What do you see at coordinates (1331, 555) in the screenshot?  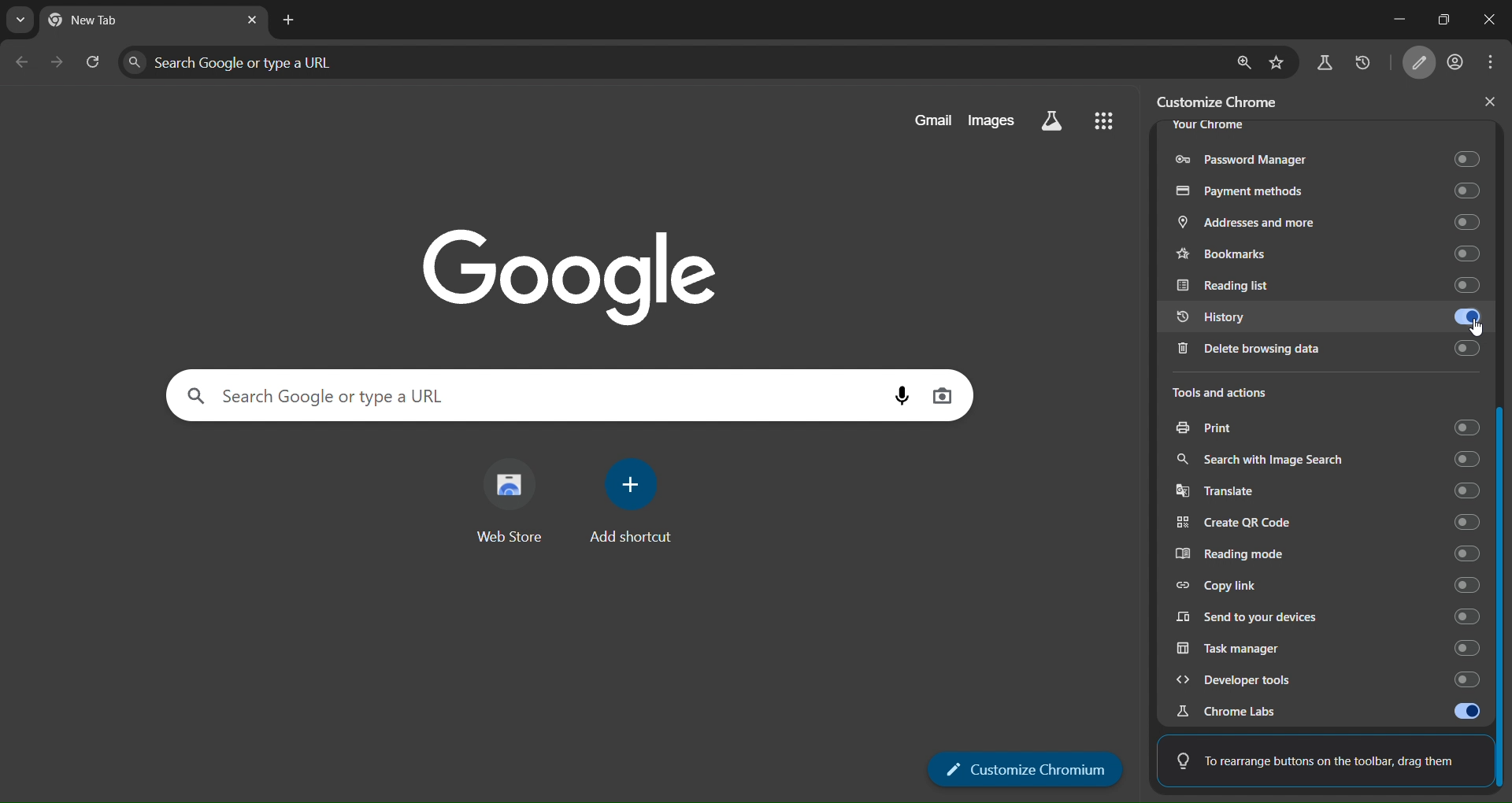 I see `reading mode` at bounding box center [1331, 555].